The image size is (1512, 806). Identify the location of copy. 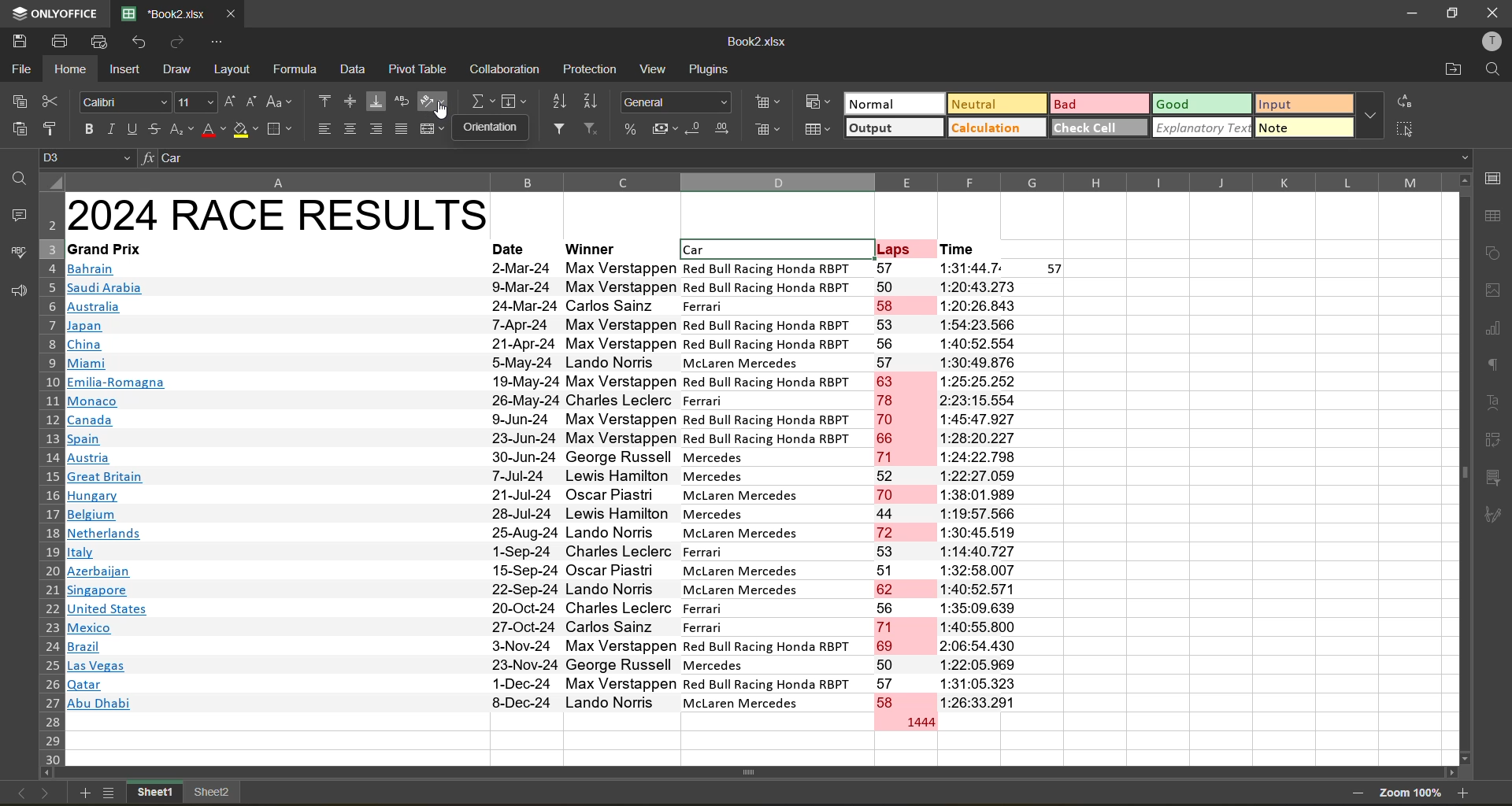
(18, 98).